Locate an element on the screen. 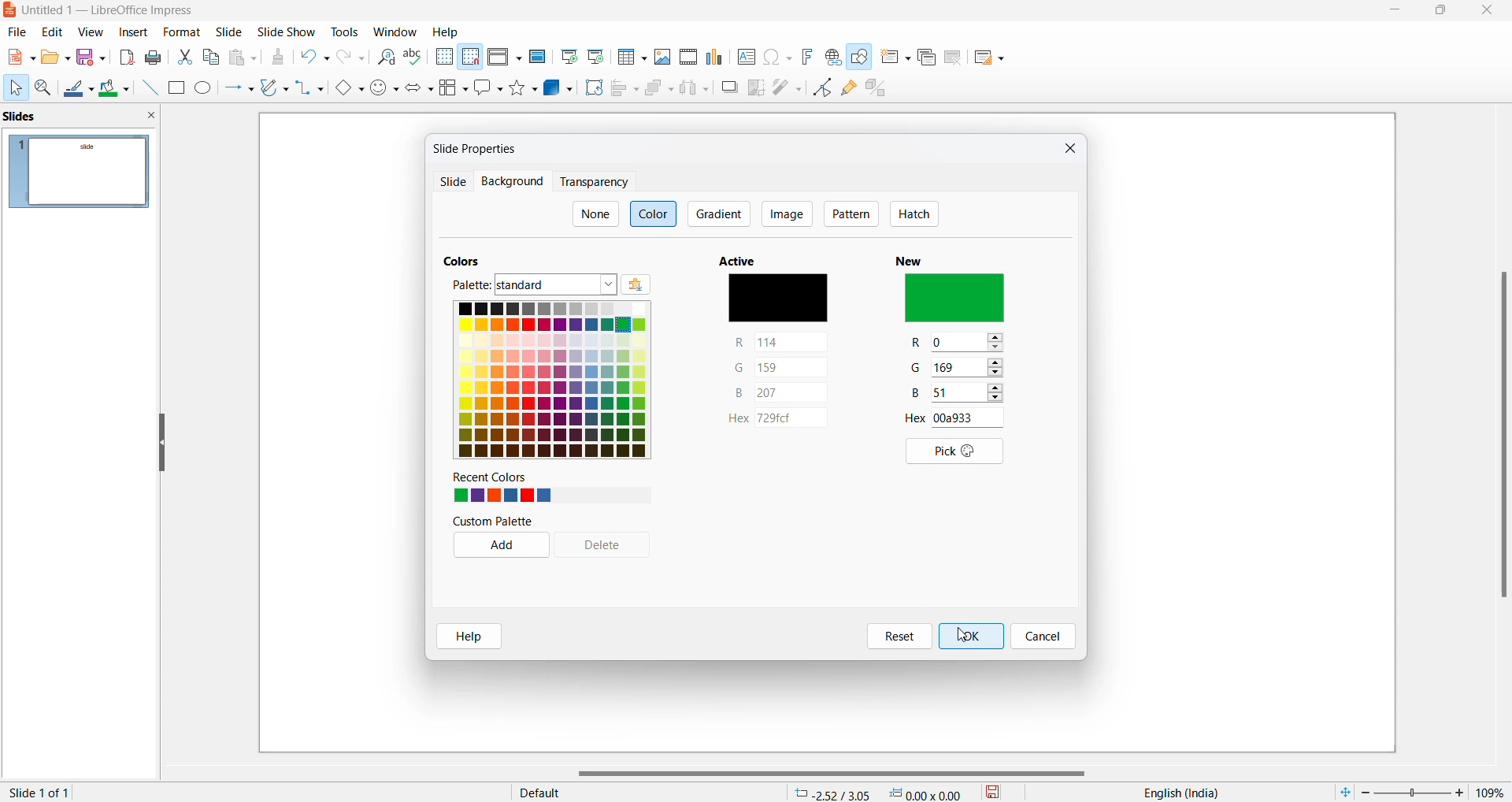  toggle end point edit mode is located at coordinates (823, 87).